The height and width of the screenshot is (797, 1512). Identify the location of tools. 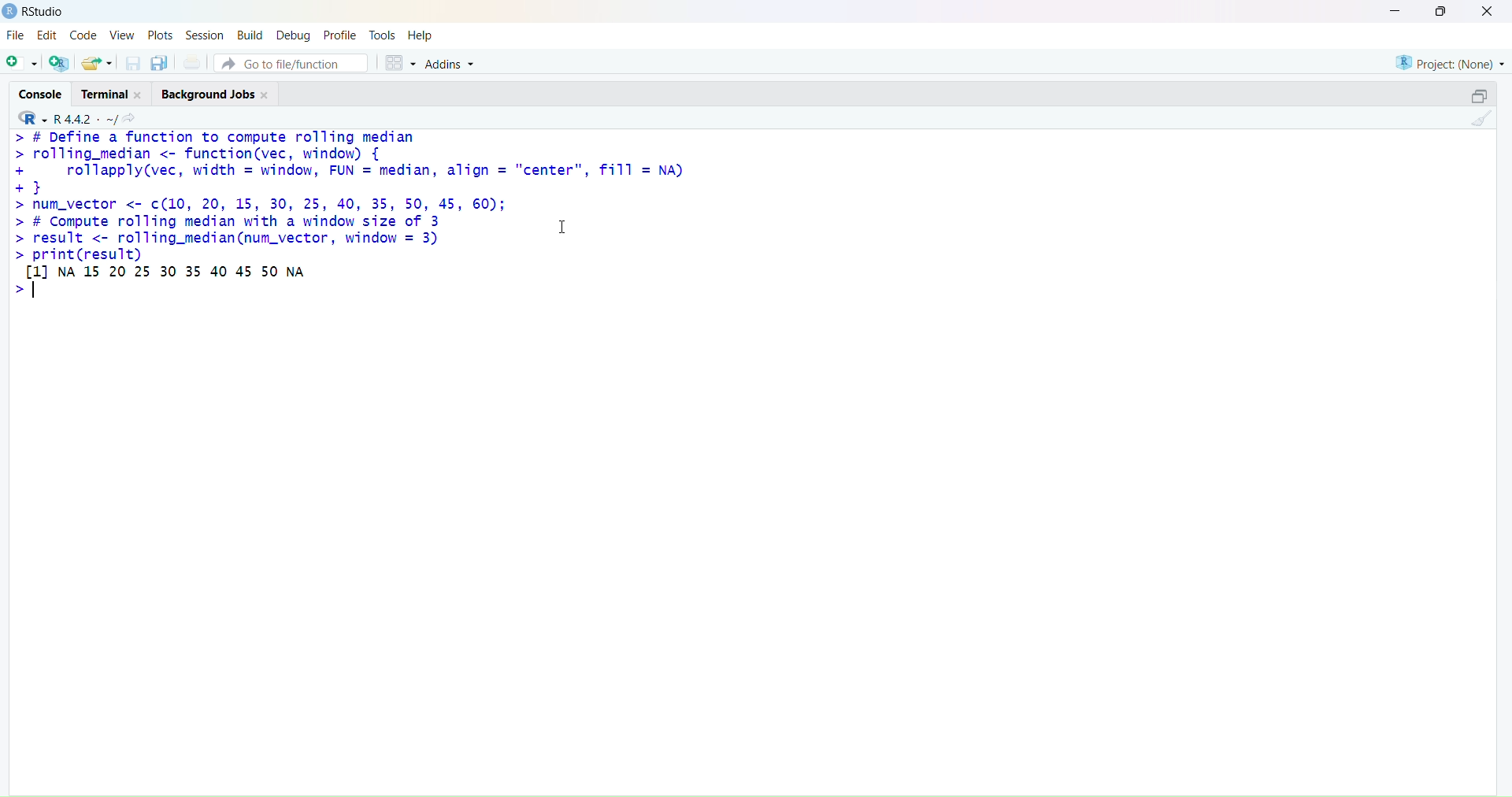
(383, 35).